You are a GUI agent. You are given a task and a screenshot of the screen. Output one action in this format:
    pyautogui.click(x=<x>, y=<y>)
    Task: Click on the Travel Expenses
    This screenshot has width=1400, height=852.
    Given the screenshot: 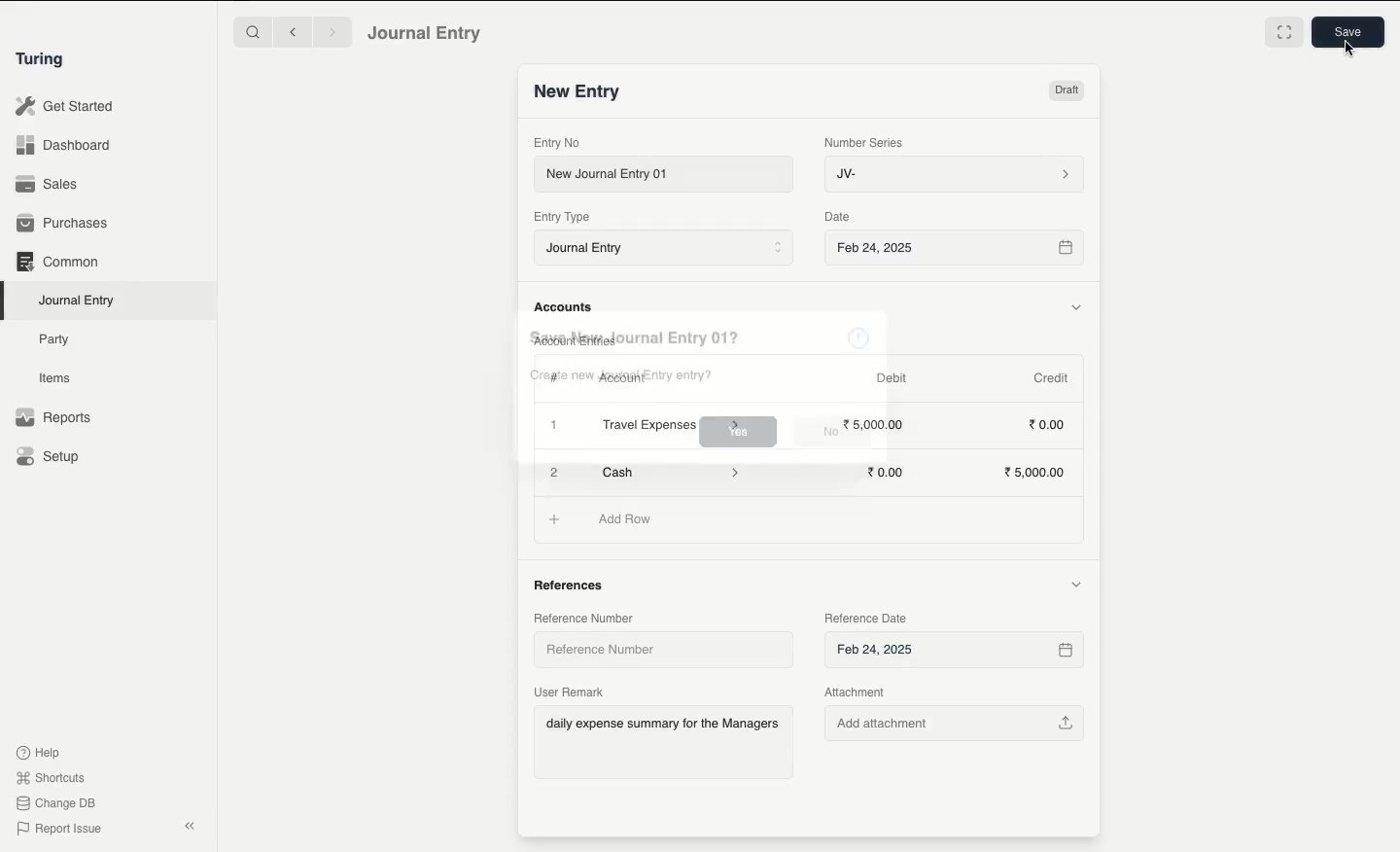 What is the action you would take?
    pyautogui.click(x=673, y=427)
    